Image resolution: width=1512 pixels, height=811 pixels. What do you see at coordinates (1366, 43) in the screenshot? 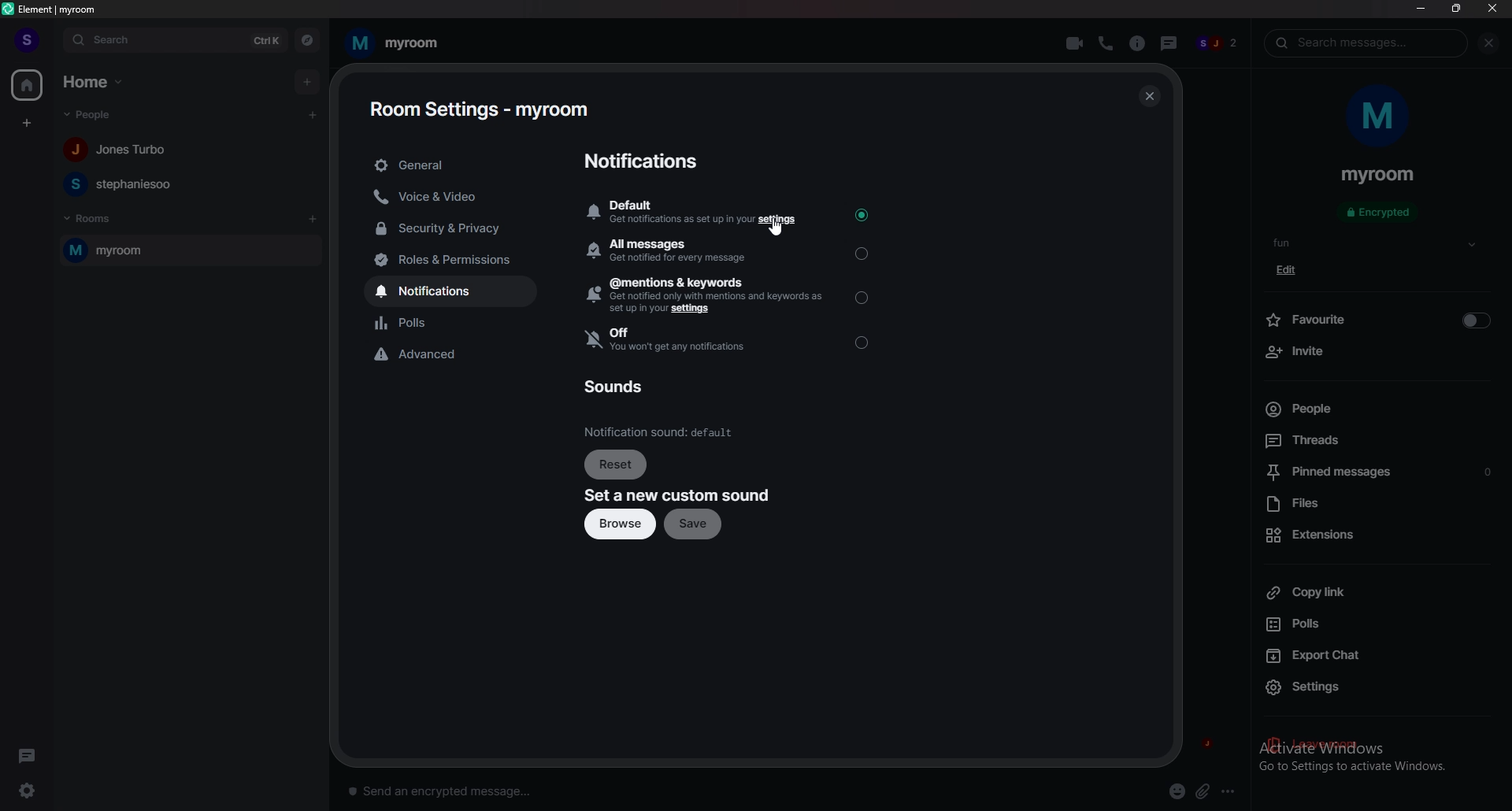
I see `search messages` at bounding box center [1366, 43].